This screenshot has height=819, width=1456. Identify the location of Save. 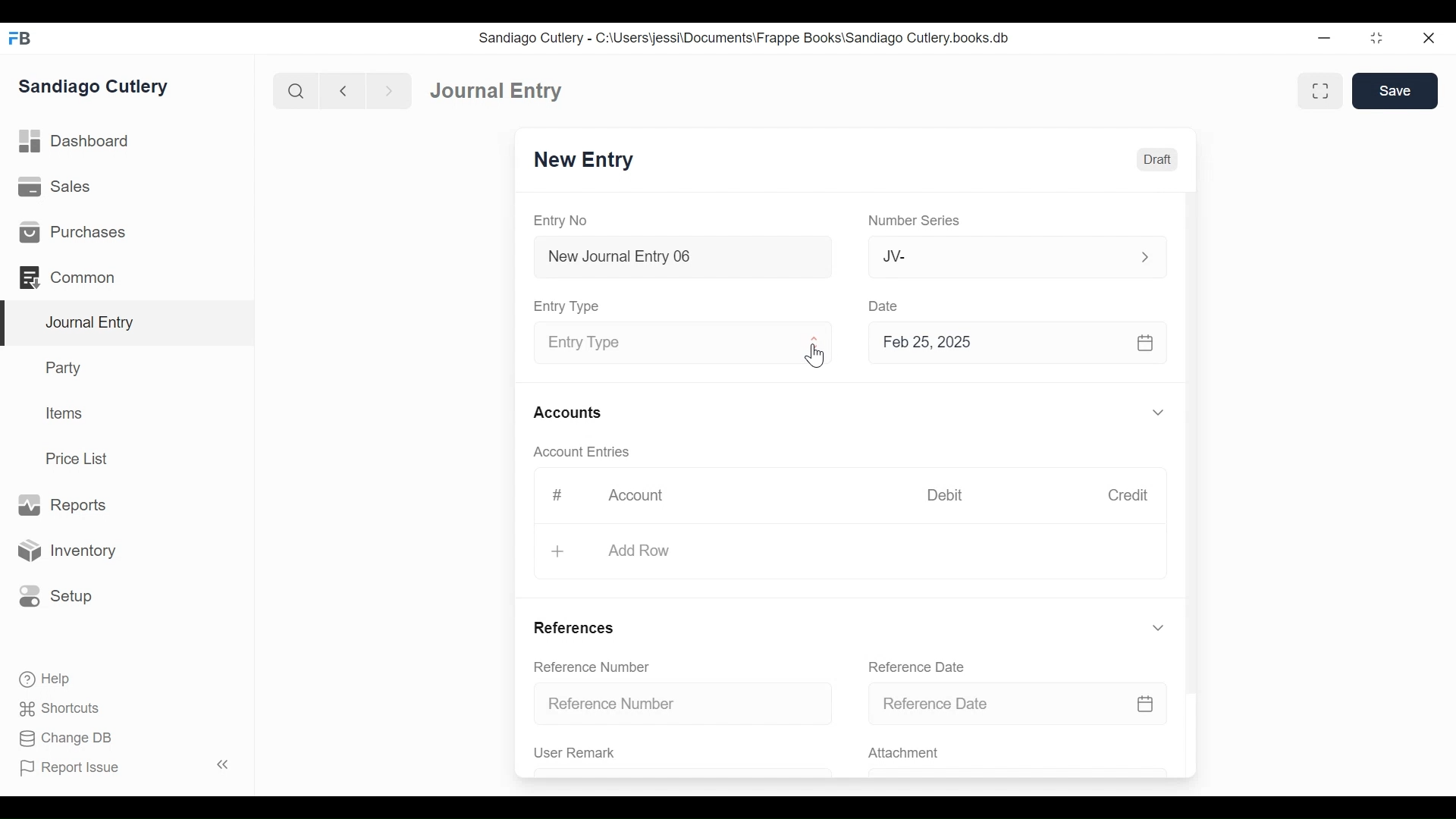
(1395, 90).